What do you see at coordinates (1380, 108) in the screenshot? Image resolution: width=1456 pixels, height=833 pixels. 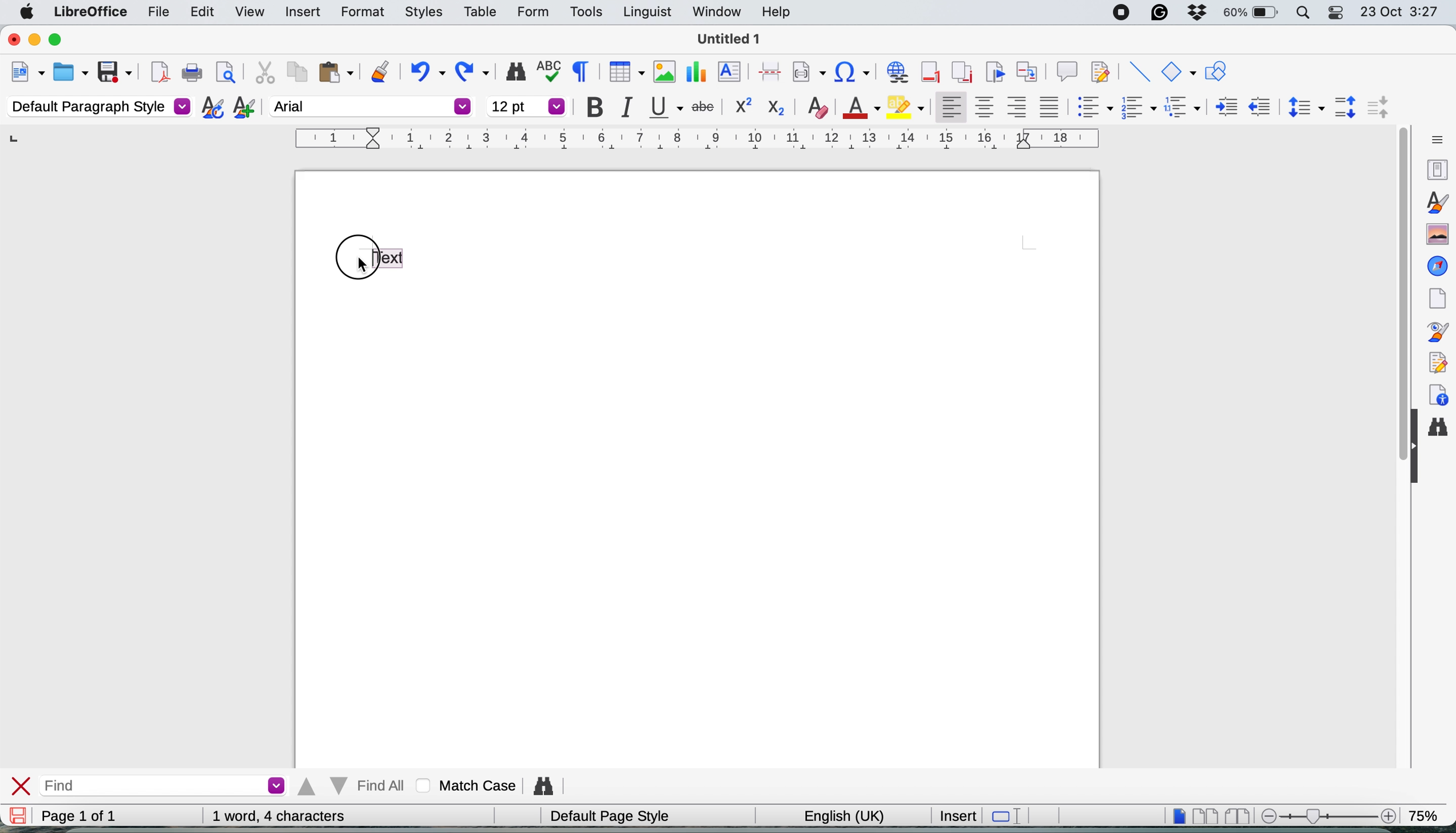 I see `decrease paragraph spacing` at bounding box center [1380, 108].